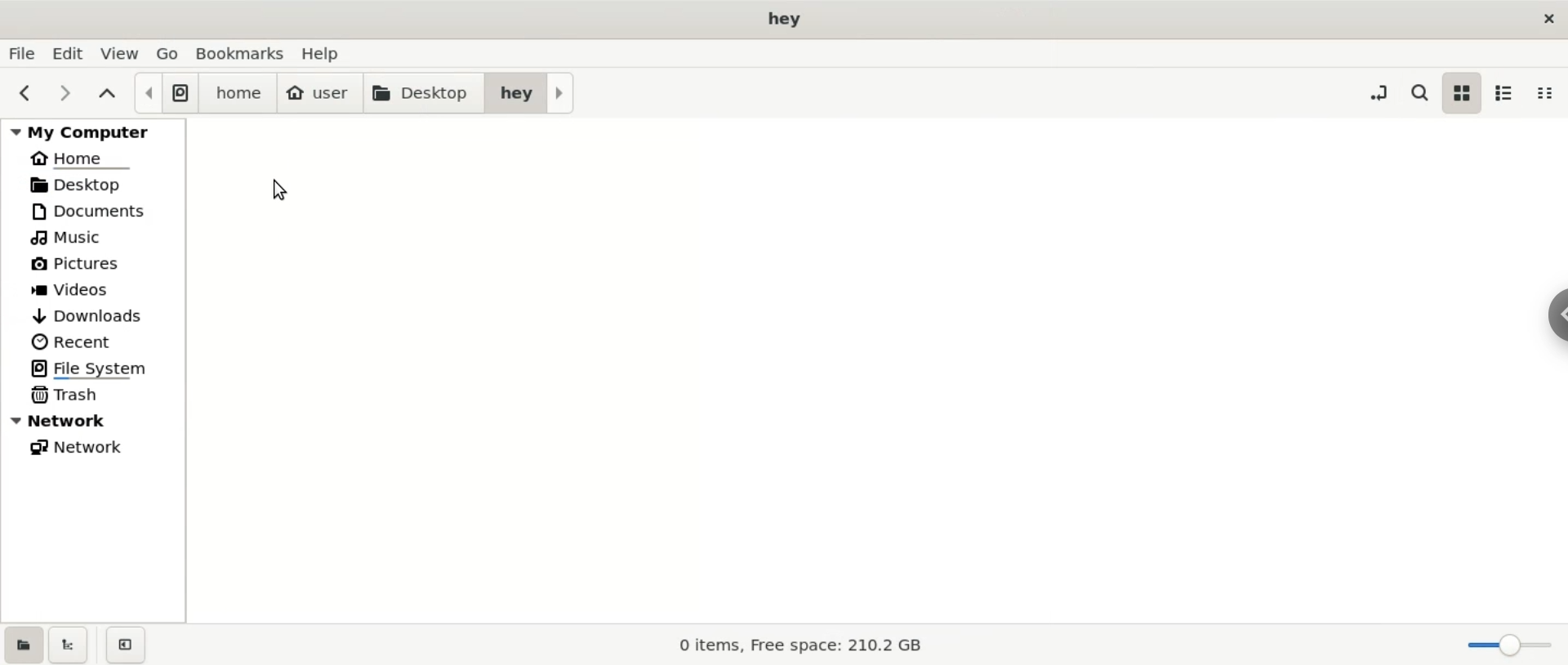 The width and height of the screenshot is (1568, 665). I want to click on view, so click(123, 53).